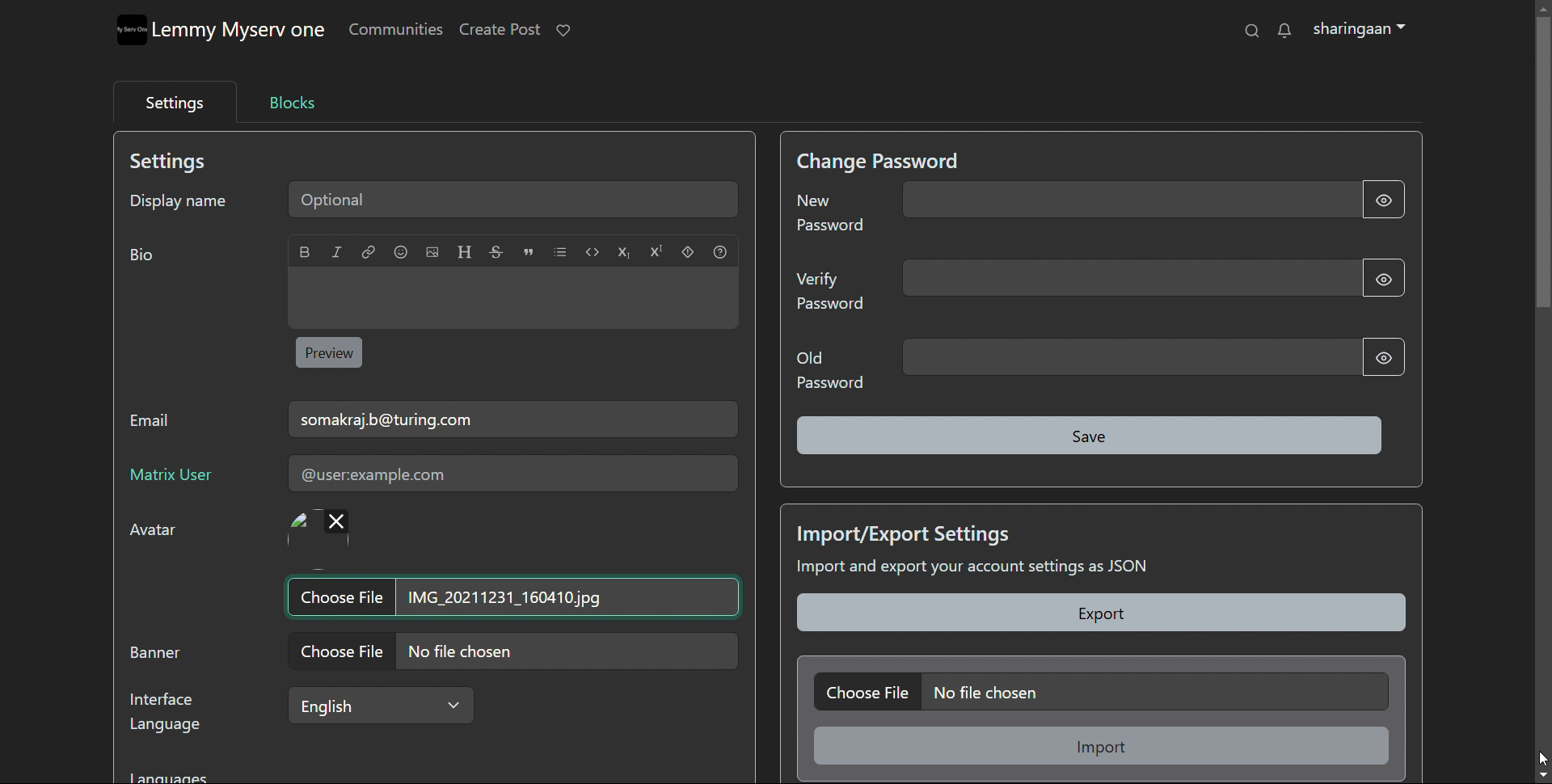  I want to click on Choose file, so click(339, 596).